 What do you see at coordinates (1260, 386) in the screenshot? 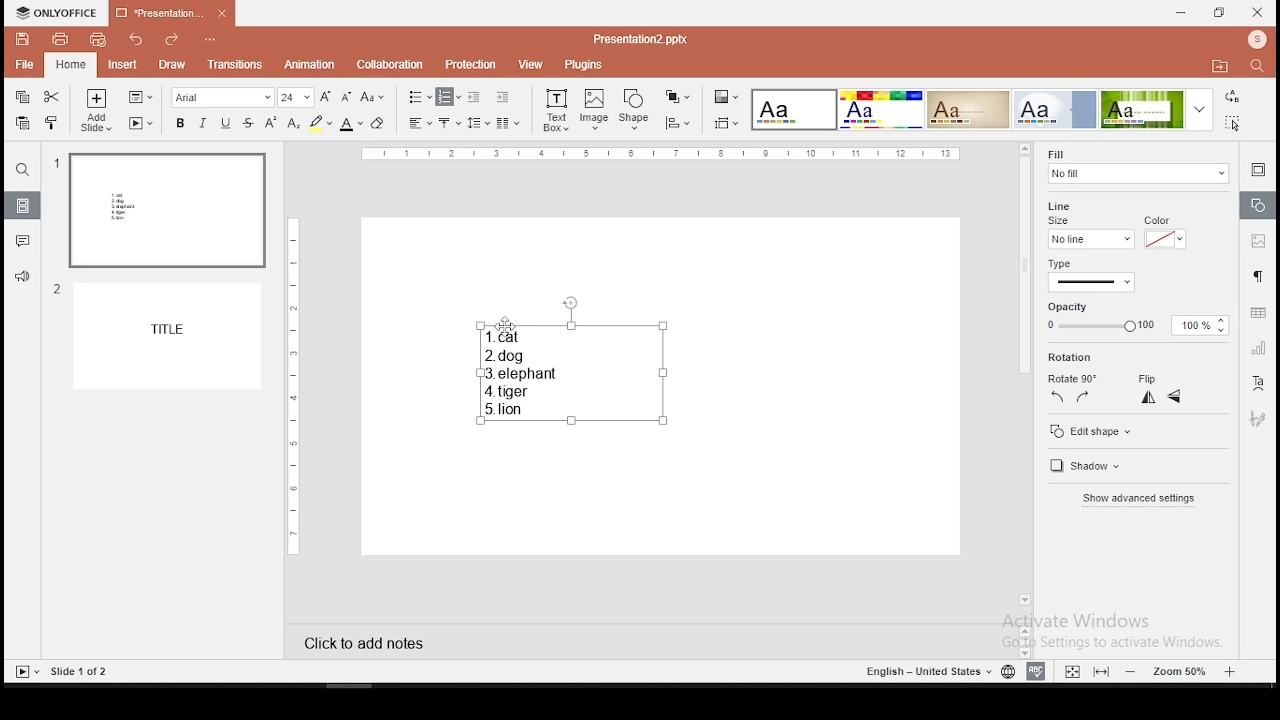
I see `text art tool` at bounding box center [1260, 386].